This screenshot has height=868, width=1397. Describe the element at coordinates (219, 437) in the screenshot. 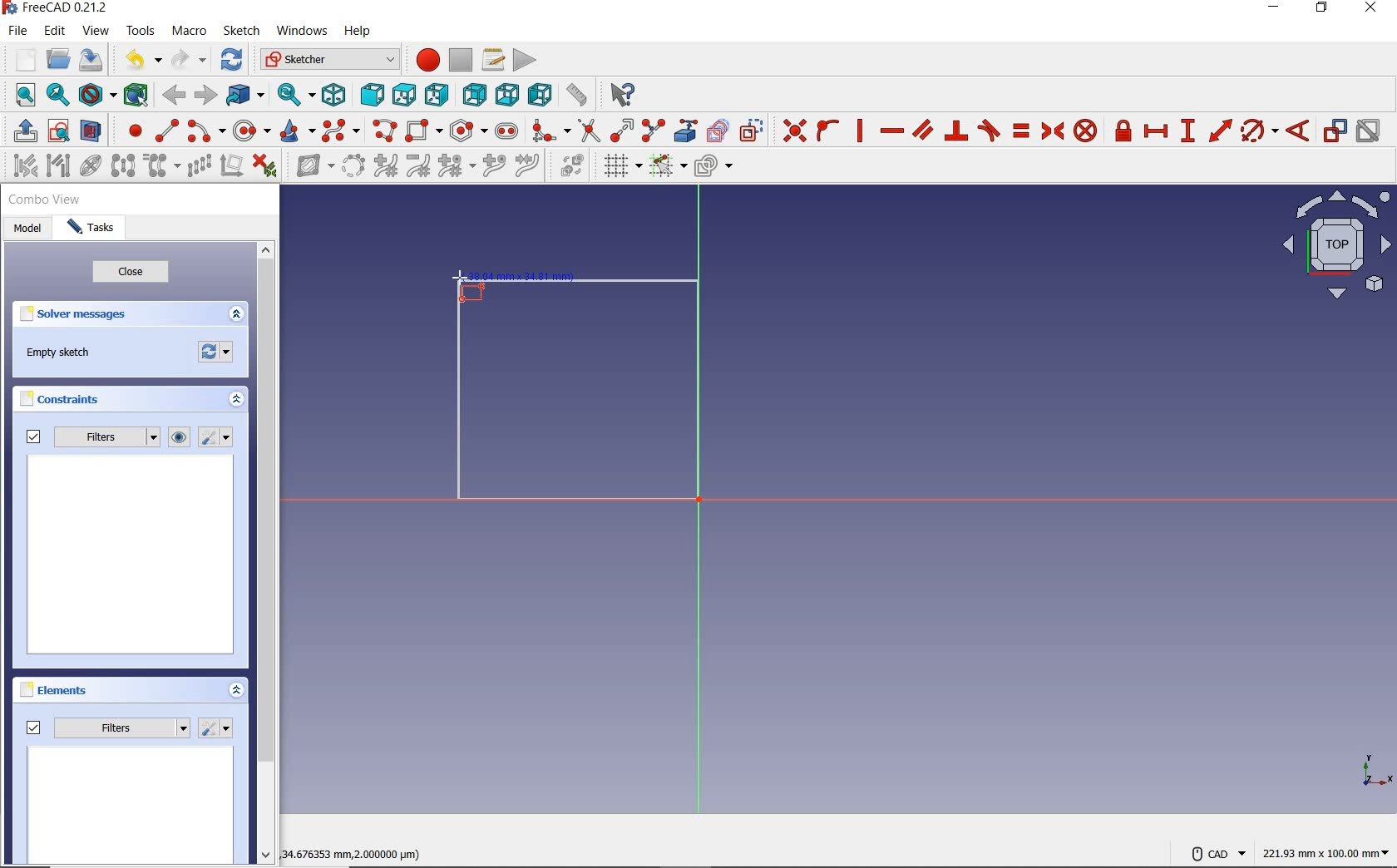

I see `settings` at that location.